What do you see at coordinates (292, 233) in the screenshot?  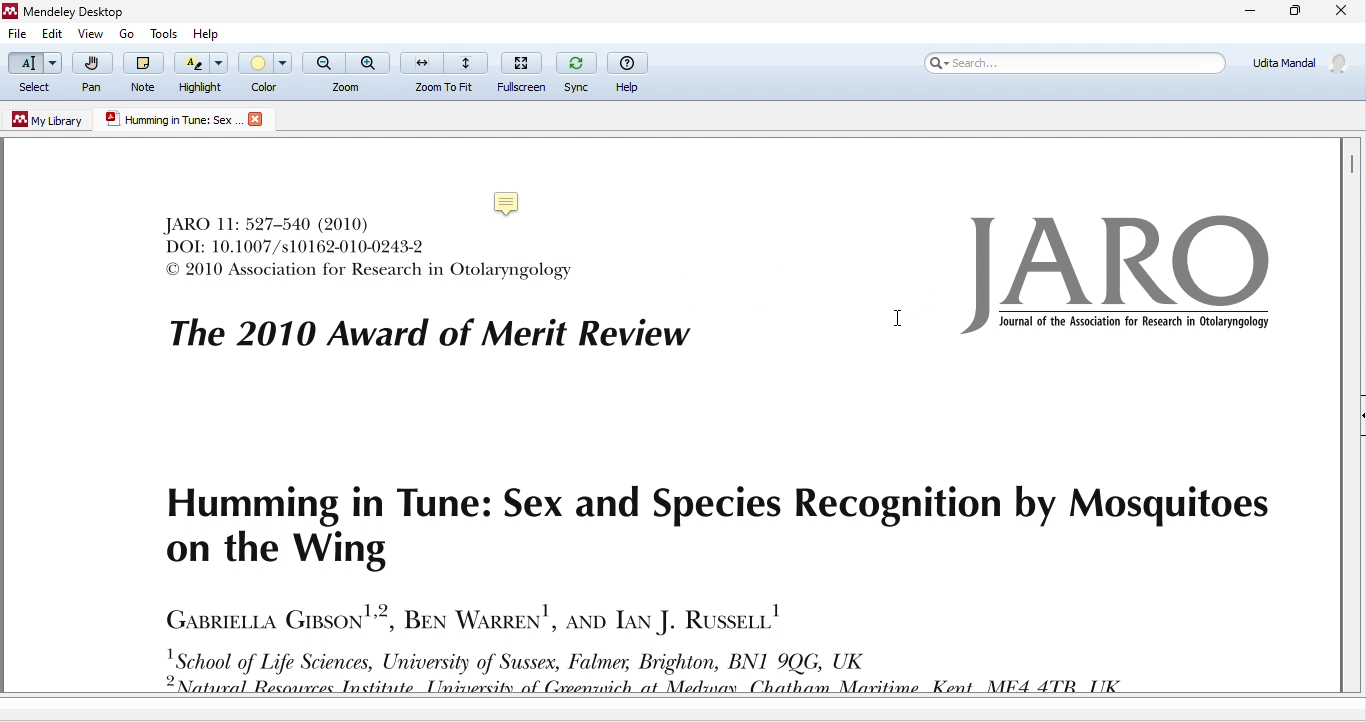 I see `journal text` at bounding box center [292, 233].